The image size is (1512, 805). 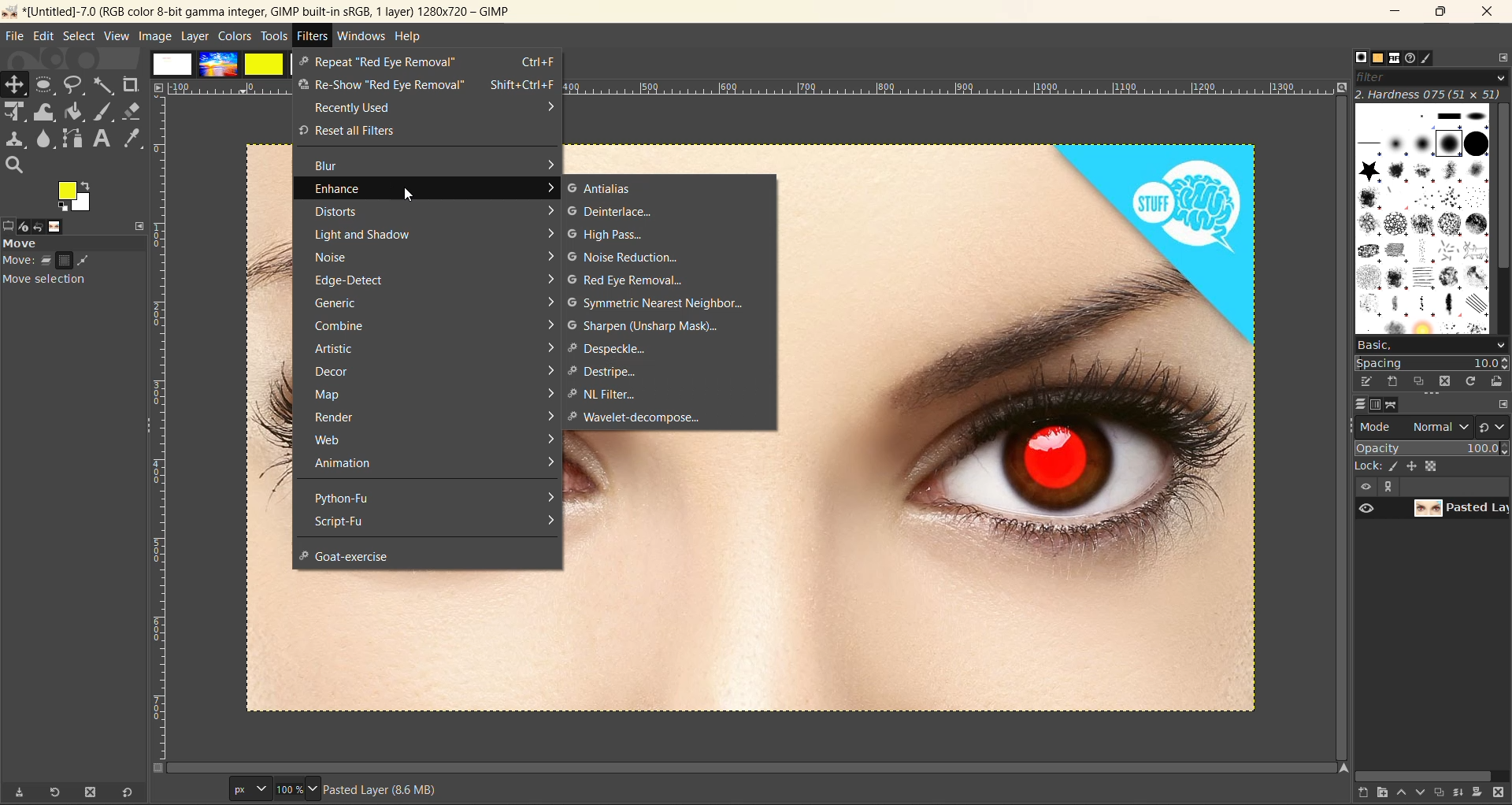 What do you see at coordinates (1503, 193) in the screenshot?
I see `vertical scroll bar` at bounding box center [1503, 193].